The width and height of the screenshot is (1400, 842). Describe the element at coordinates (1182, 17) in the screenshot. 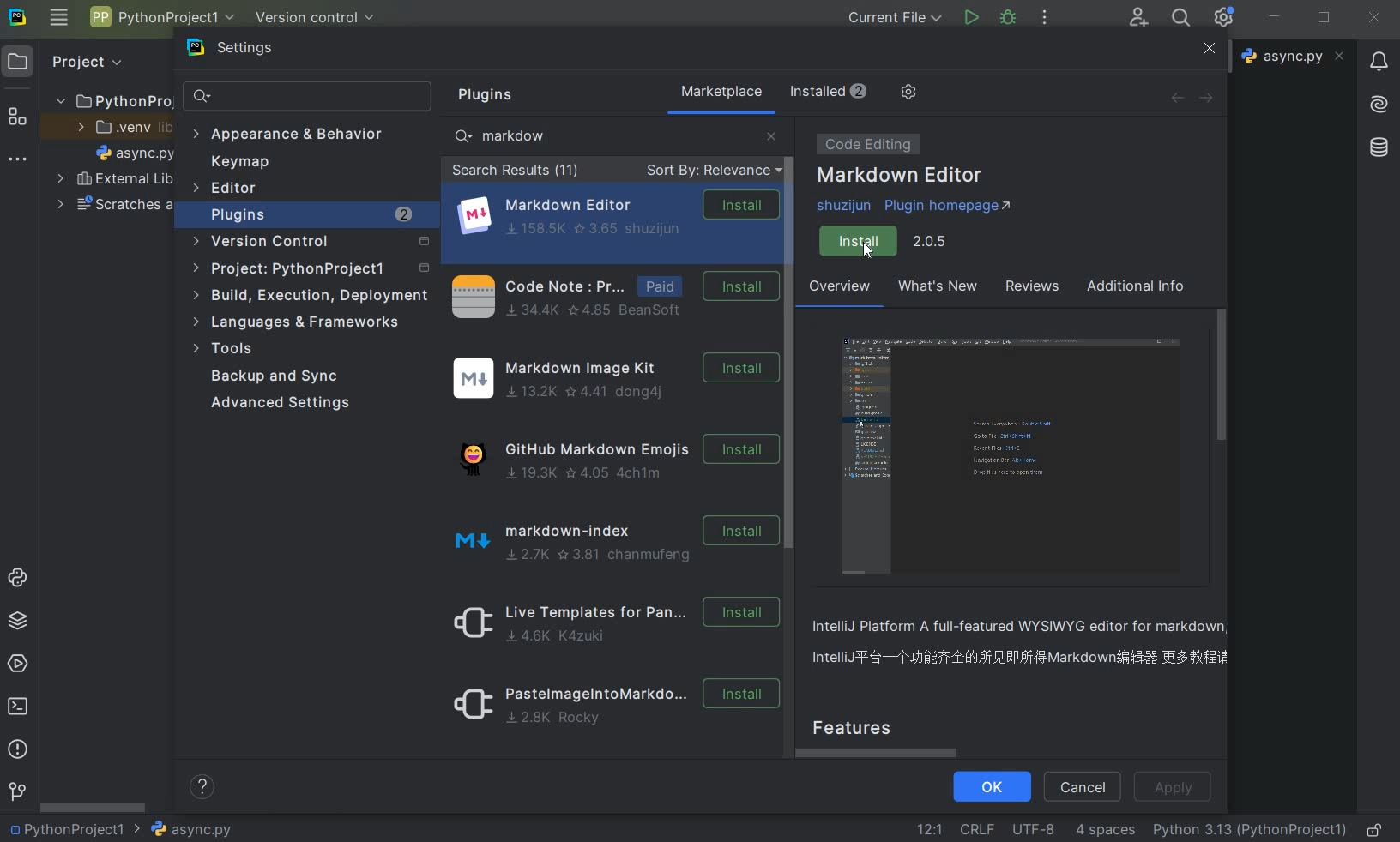

I see `search everywhere` at that location.